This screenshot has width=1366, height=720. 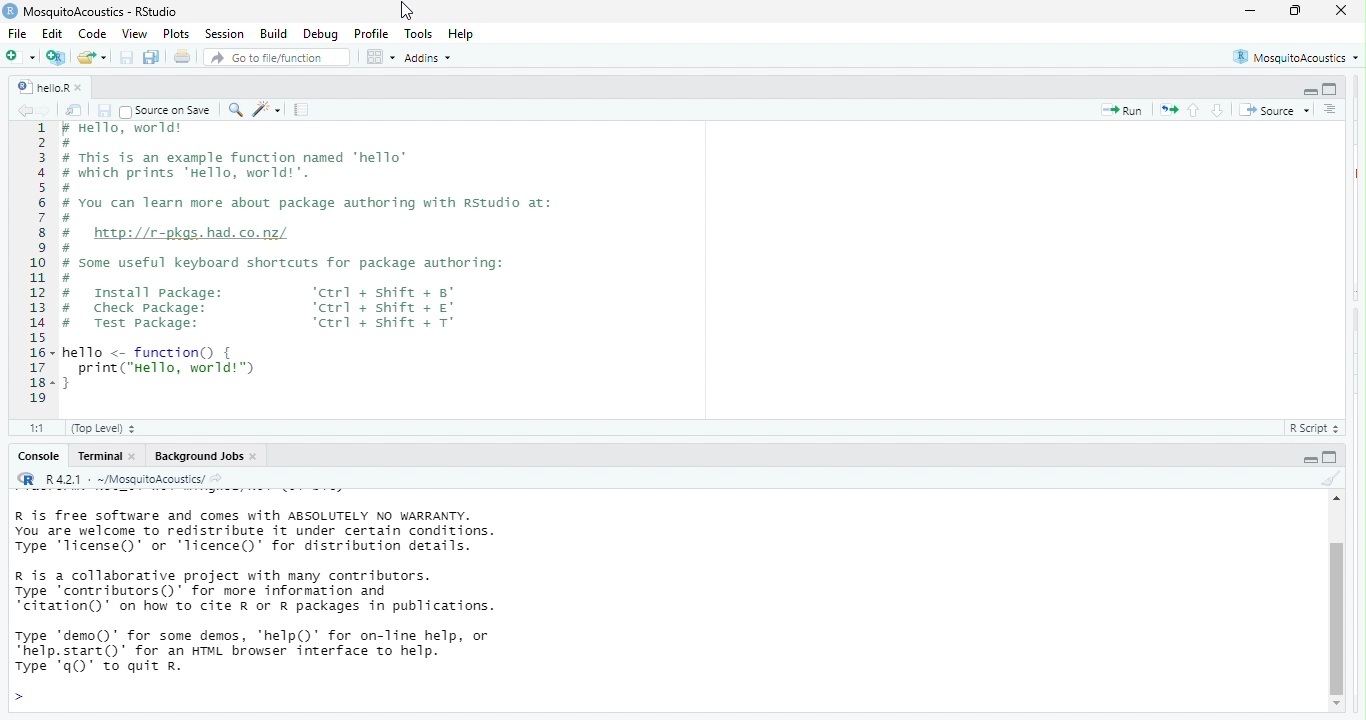 I want to click on save all open documents, so click(x=152, y=57).